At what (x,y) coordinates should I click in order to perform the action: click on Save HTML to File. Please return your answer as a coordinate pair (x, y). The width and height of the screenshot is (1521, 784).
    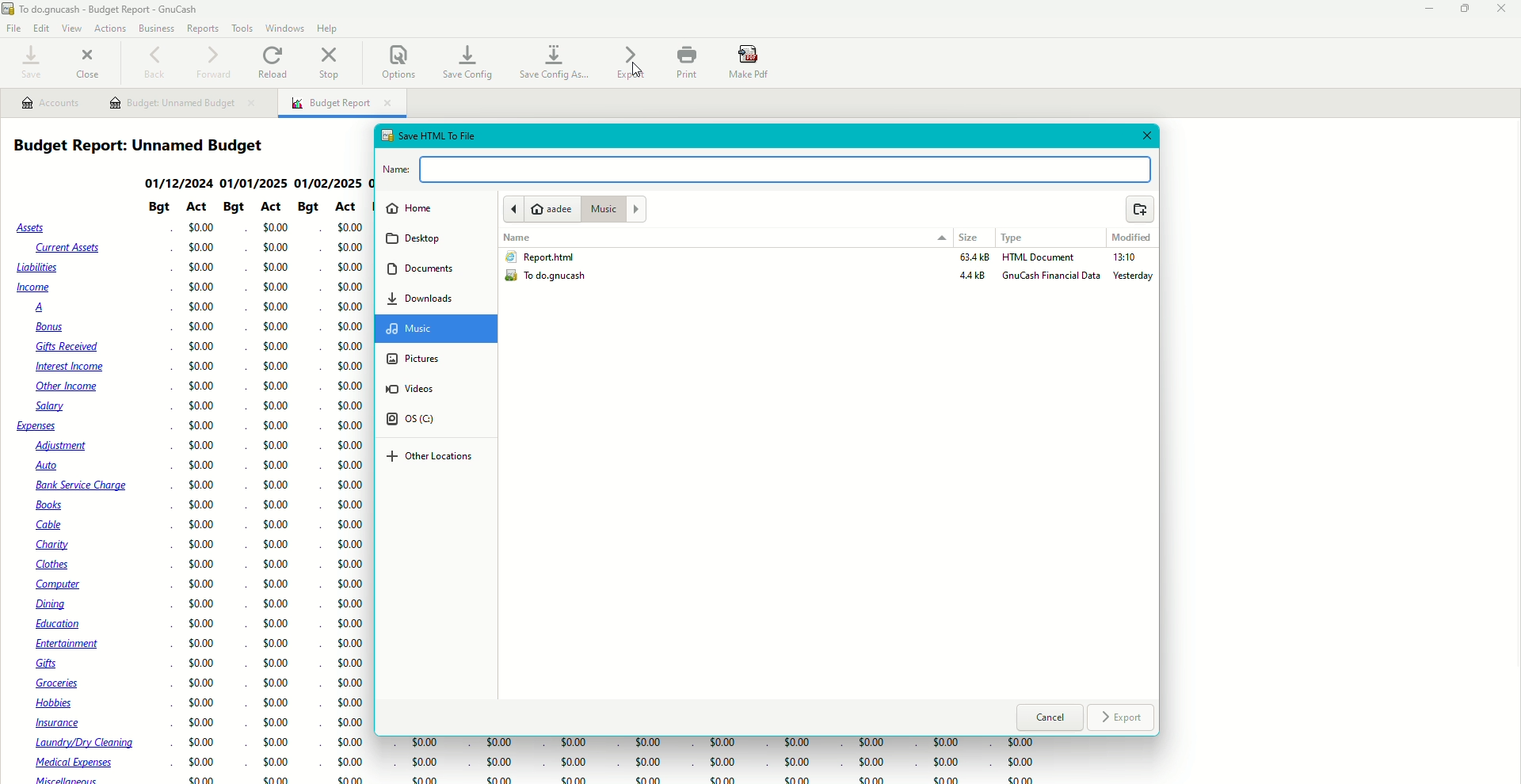
    Looking at the image, I should click on (428, 134).